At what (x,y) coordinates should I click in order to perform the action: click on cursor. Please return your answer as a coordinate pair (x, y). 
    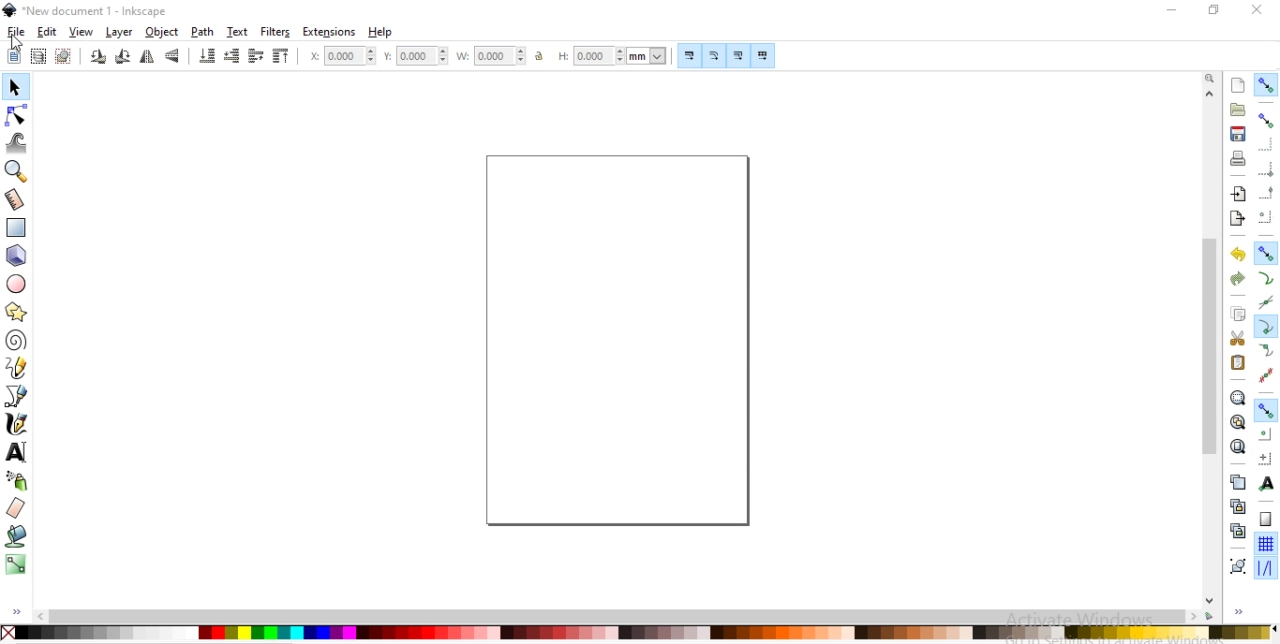
    Looking at the image, I should click on (18, 41).